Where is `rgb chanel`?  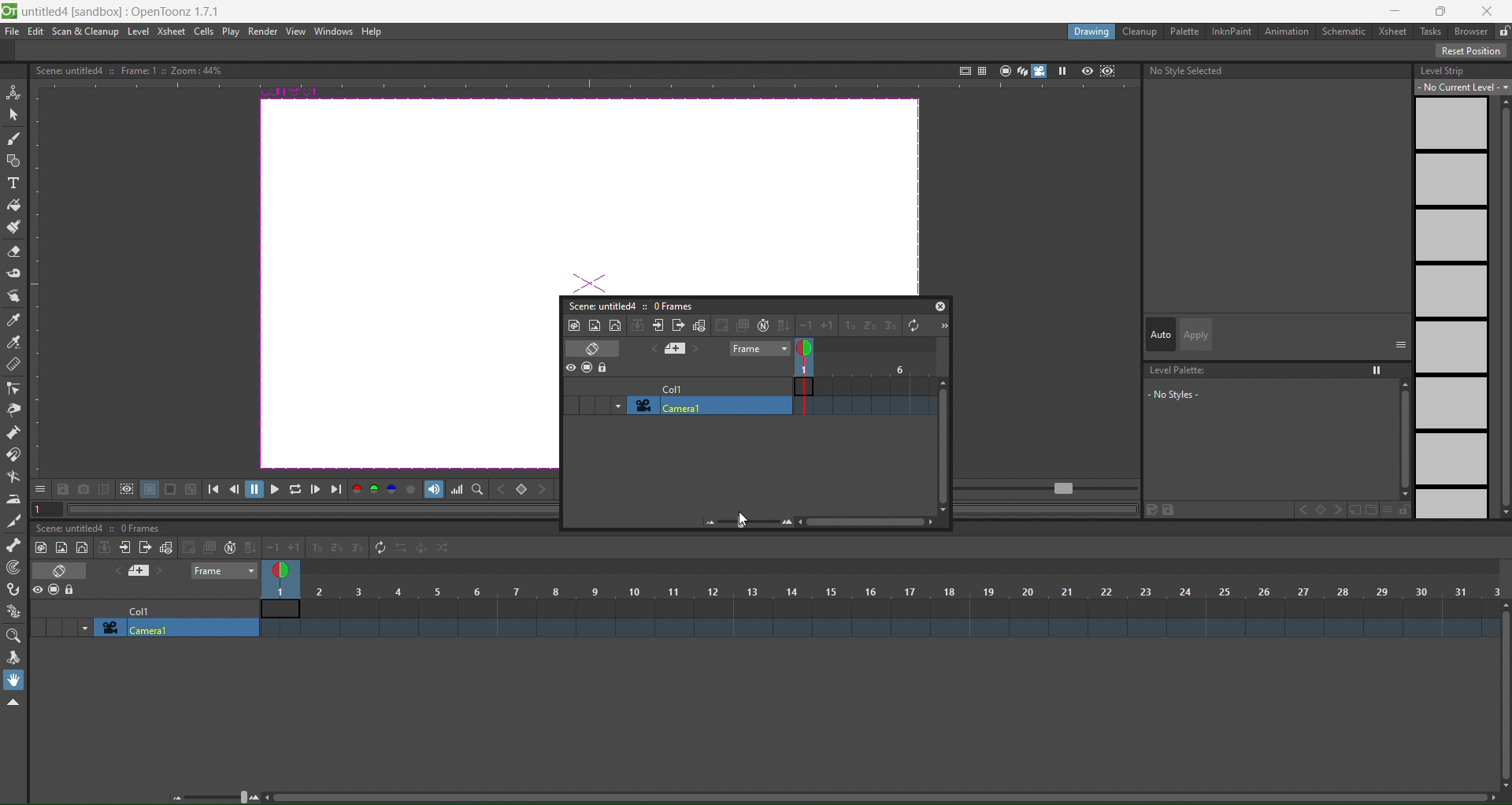 rgb chanel is located at coordinates (376, 490).